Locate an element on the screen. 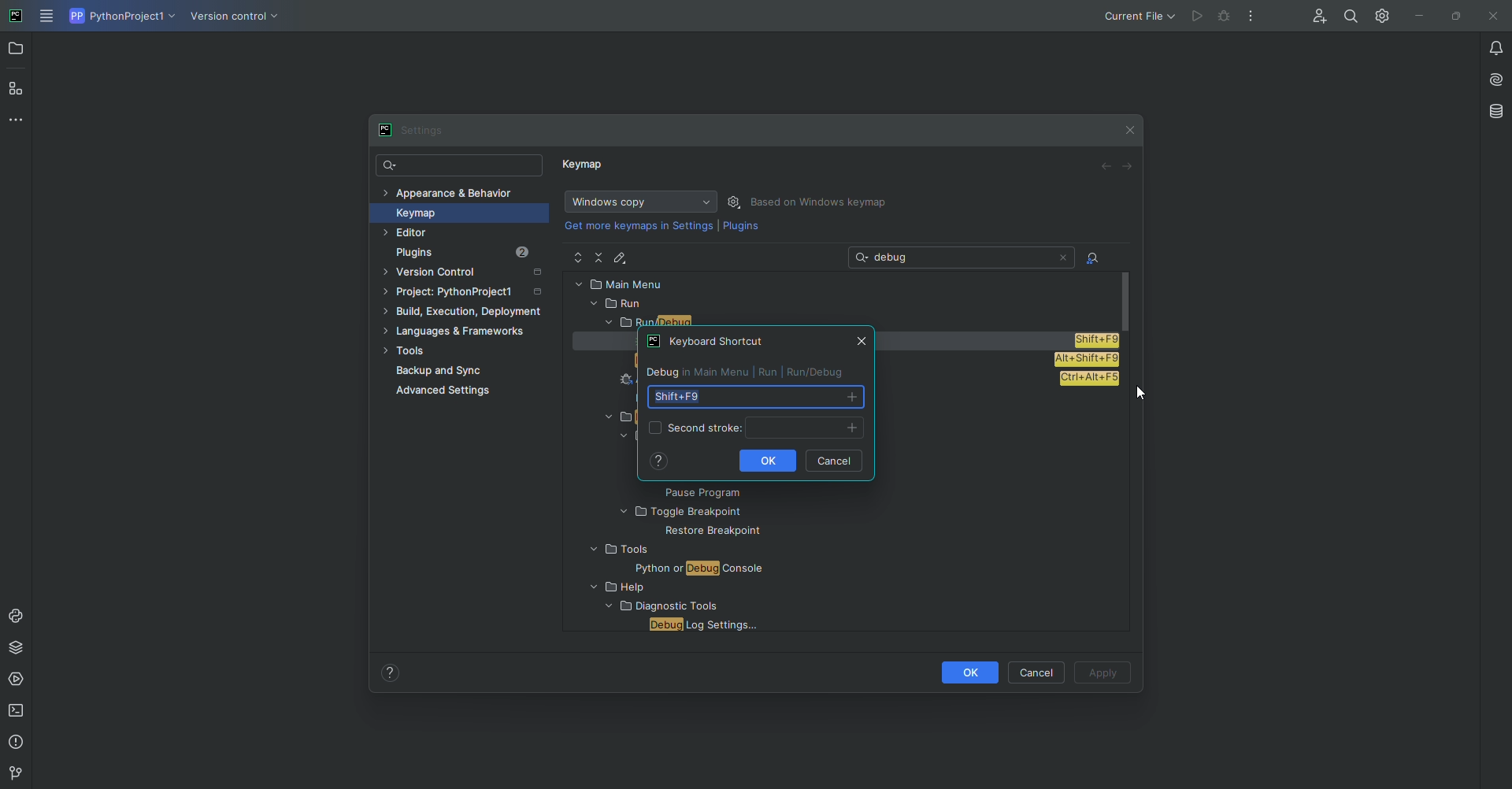  Cannot run the file is located at coordinates (1199, 16).